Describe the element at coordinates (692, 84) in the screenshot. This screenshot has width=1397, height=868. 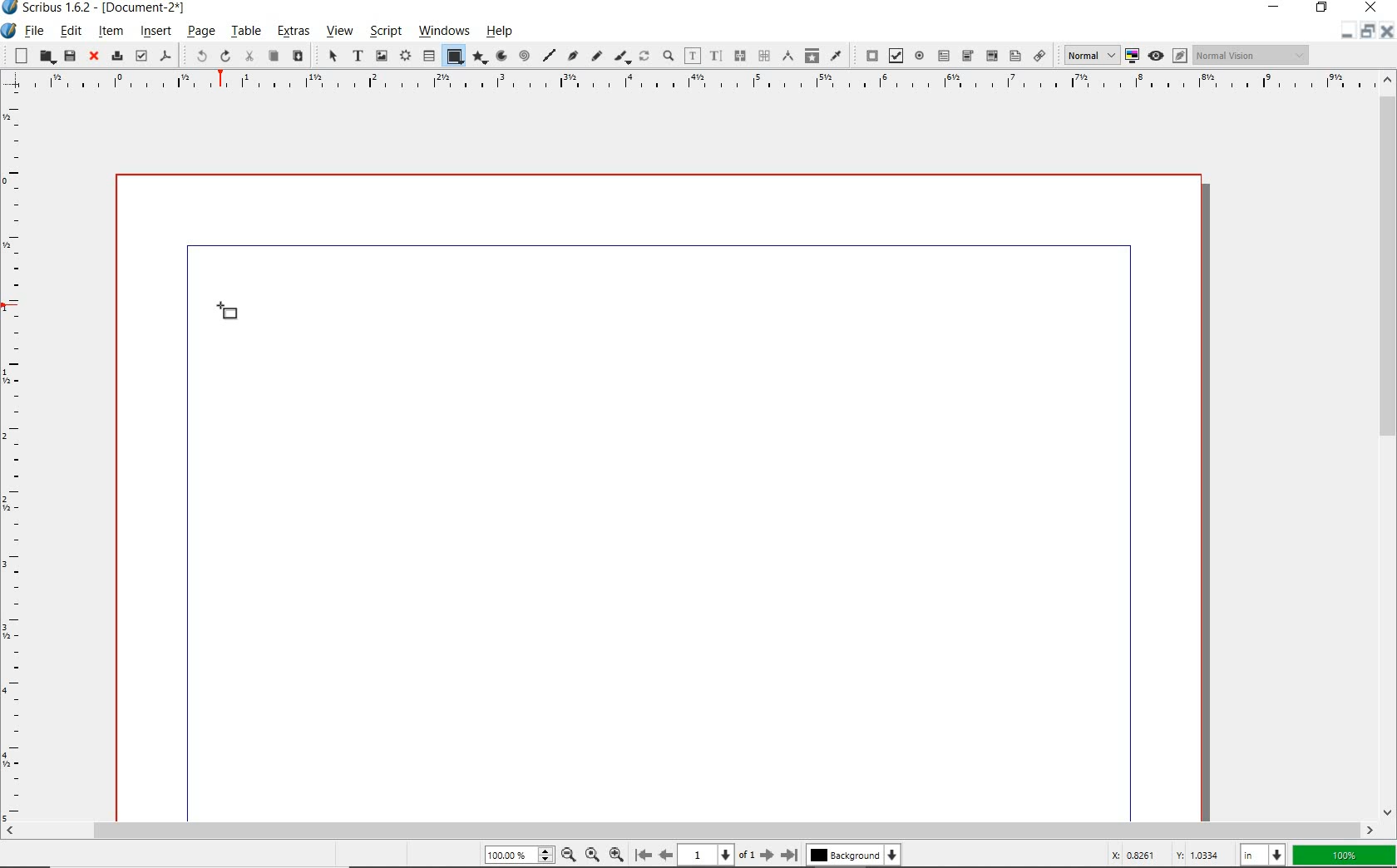
I see `ruler` at that location.